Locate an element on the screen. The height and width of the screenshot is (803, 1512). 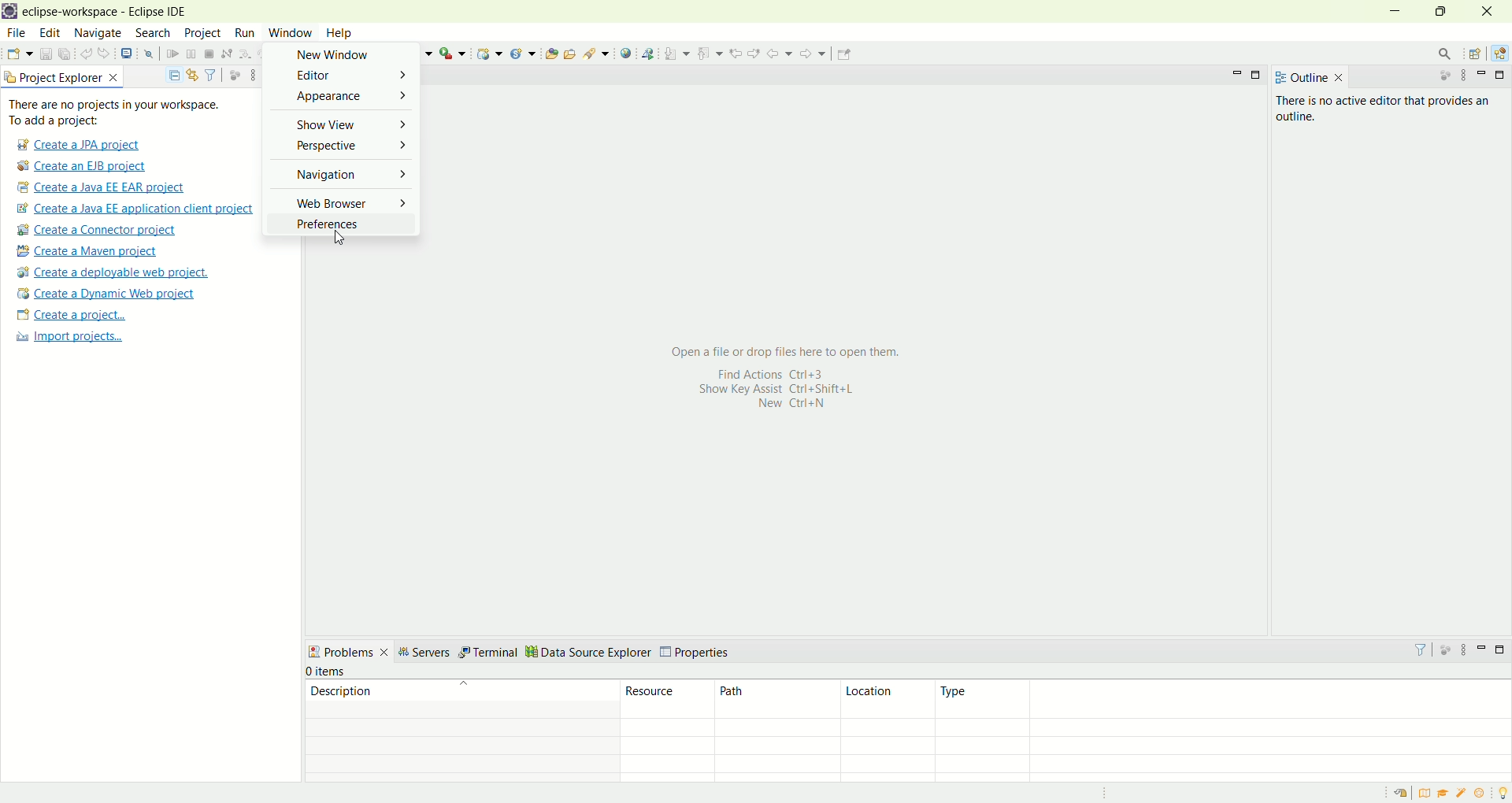
new window is located at coordinates (339, 55).